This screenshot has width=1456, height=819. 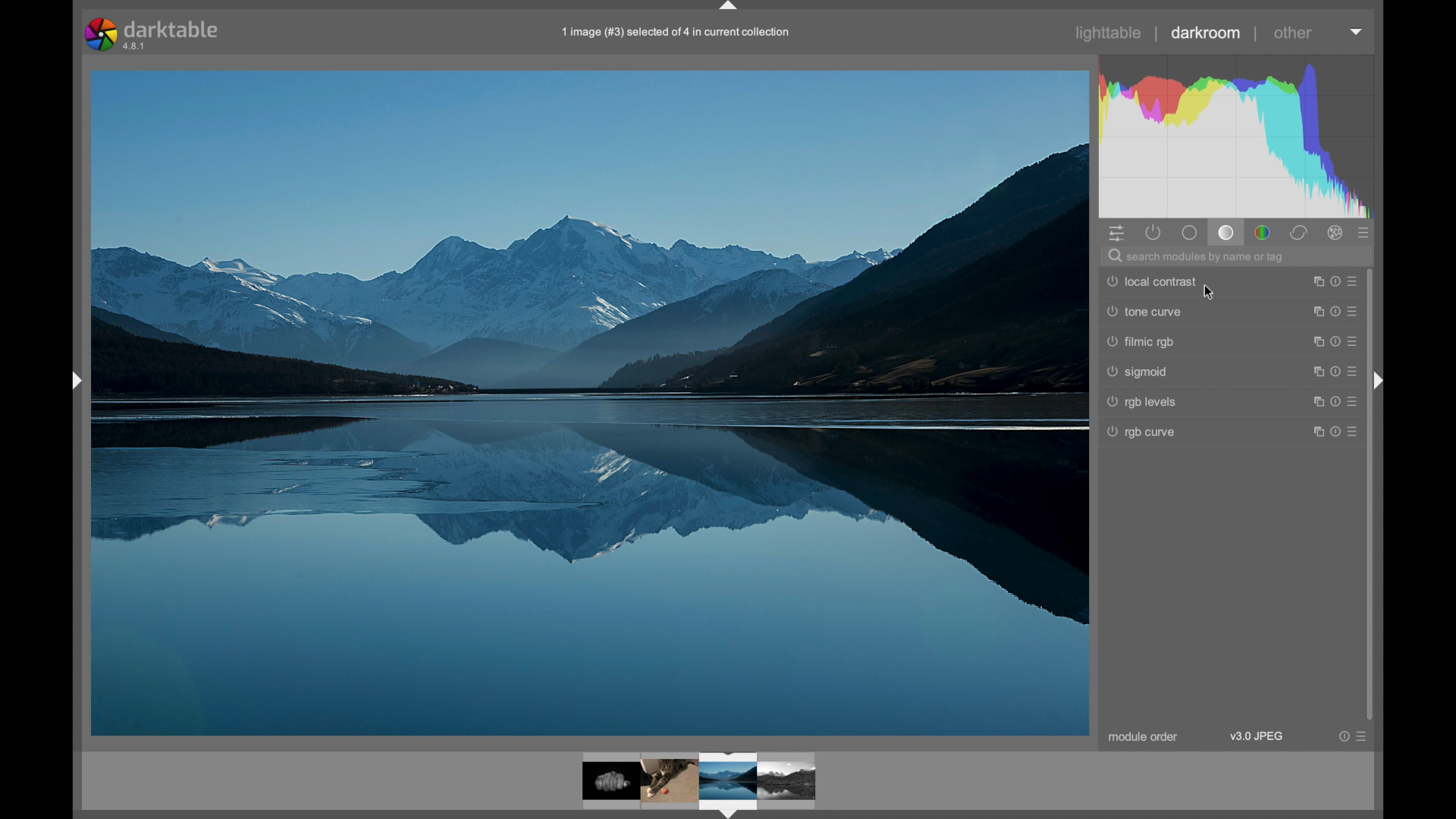 I want to click on correct, so click(x=1298, y=233).